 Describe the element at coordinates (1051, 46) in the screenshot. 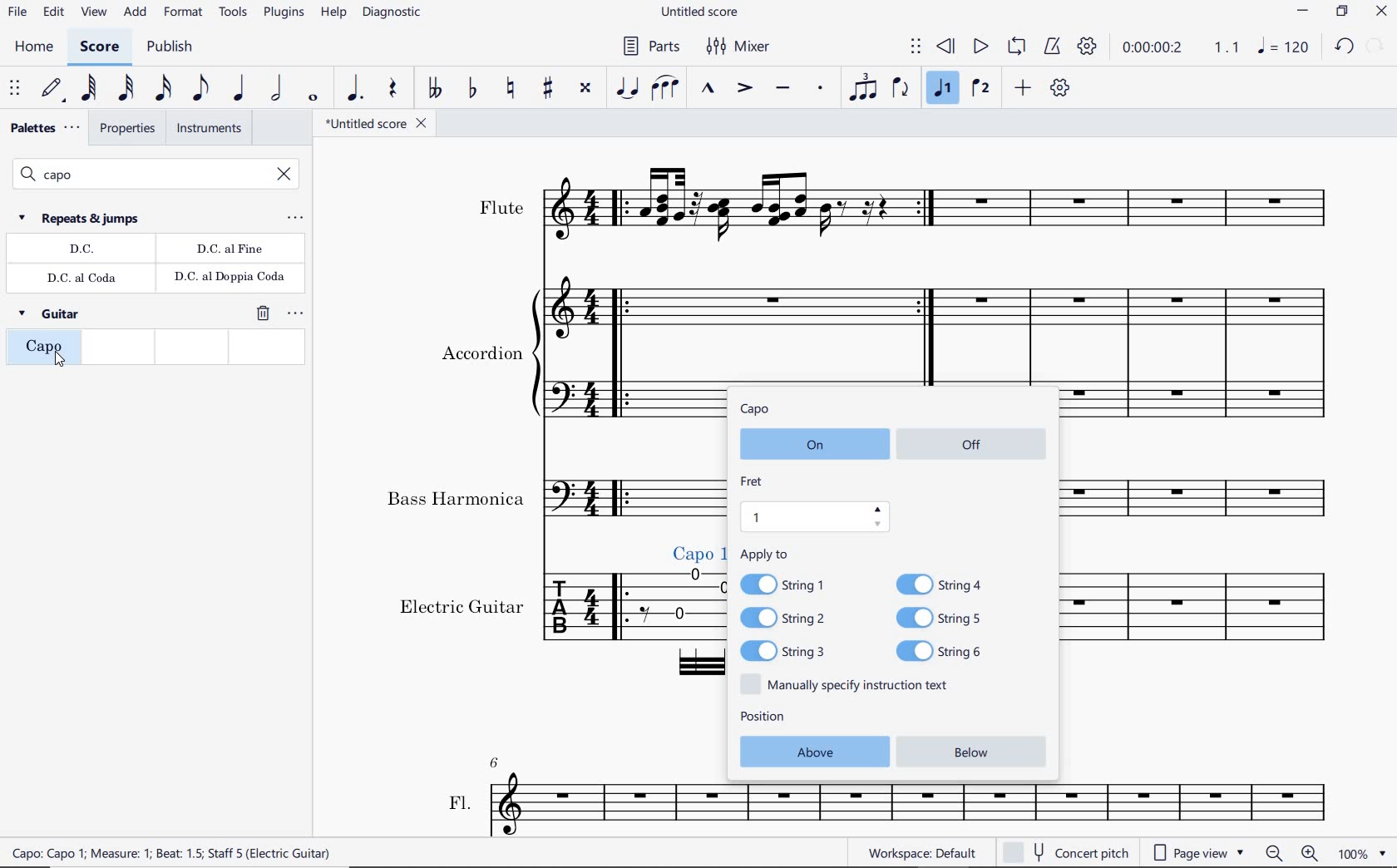

I see `metronome` at that location.